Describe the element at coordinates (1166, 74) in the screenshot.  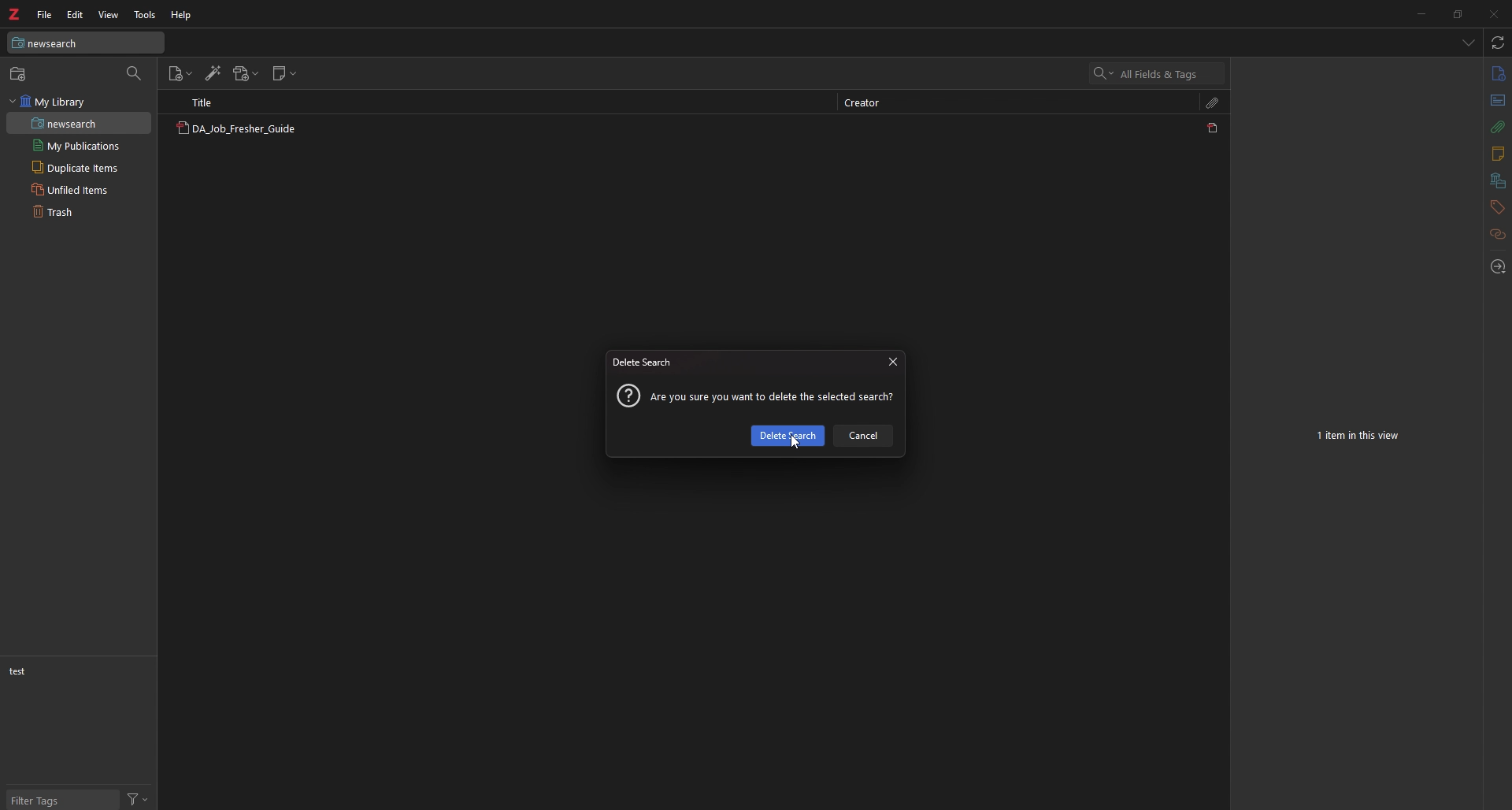
I see `search input` at that location.